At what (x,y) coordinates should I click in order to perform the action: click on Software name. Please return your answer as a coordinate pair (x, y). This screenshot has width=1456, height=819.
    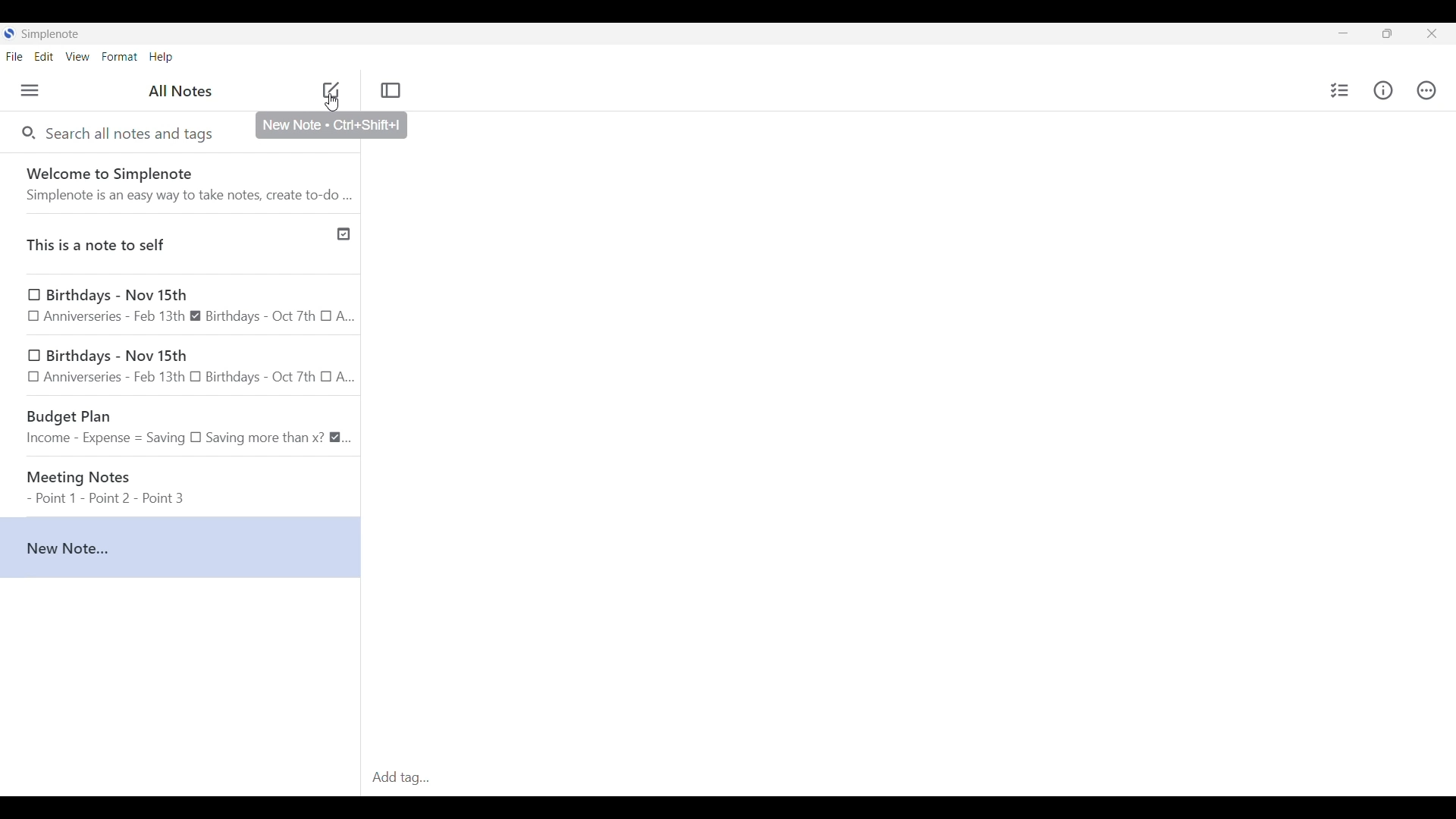
    Looking at the image, I should click on (51, 34).